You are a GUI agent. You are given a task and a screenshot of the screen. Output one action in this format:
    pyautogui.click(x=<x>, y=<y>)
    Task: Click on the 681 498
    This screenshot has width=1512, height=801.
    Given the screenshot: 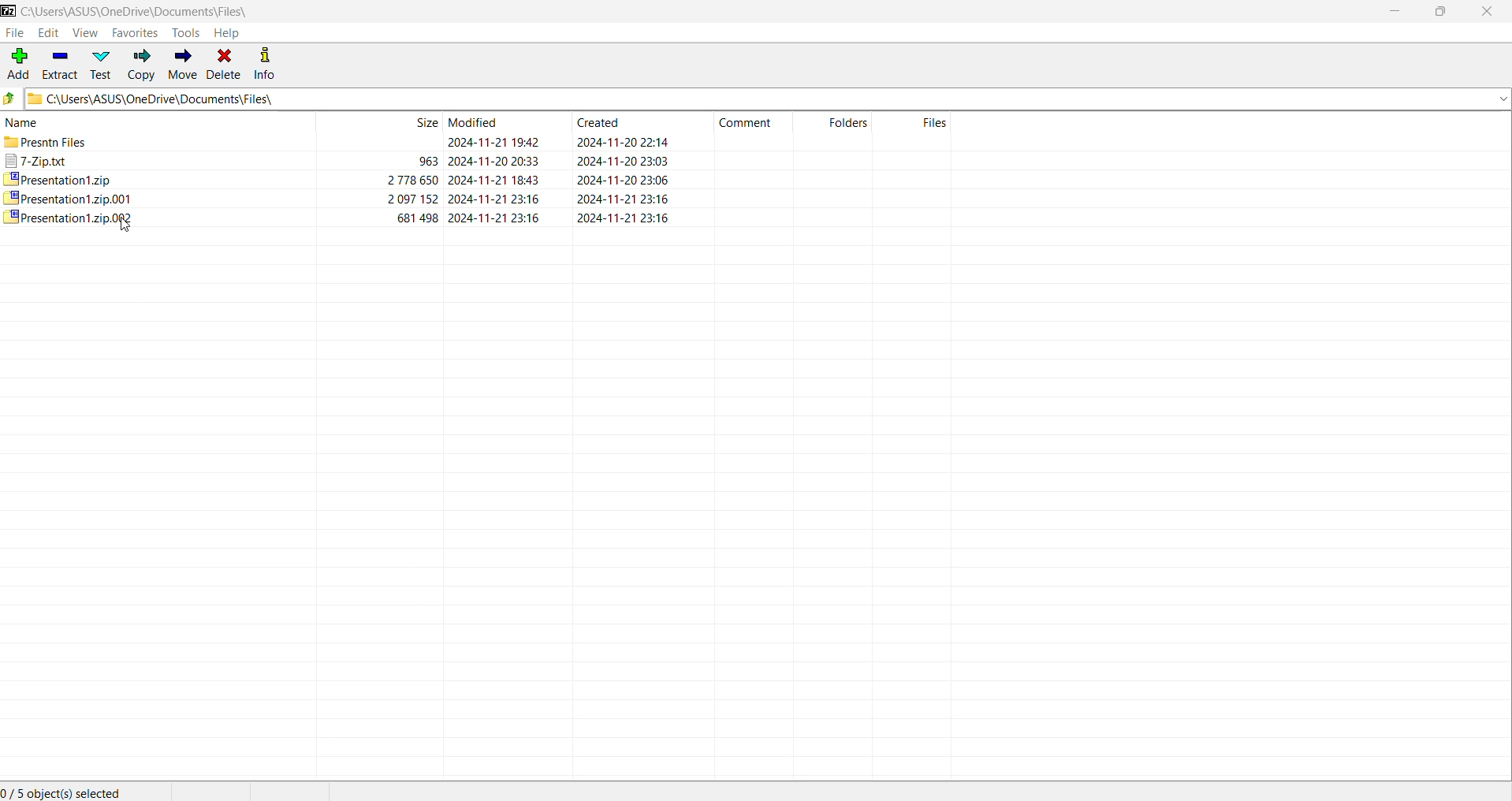 What is the action you would take?
    pyautogui.click(x=415, y=217)
    